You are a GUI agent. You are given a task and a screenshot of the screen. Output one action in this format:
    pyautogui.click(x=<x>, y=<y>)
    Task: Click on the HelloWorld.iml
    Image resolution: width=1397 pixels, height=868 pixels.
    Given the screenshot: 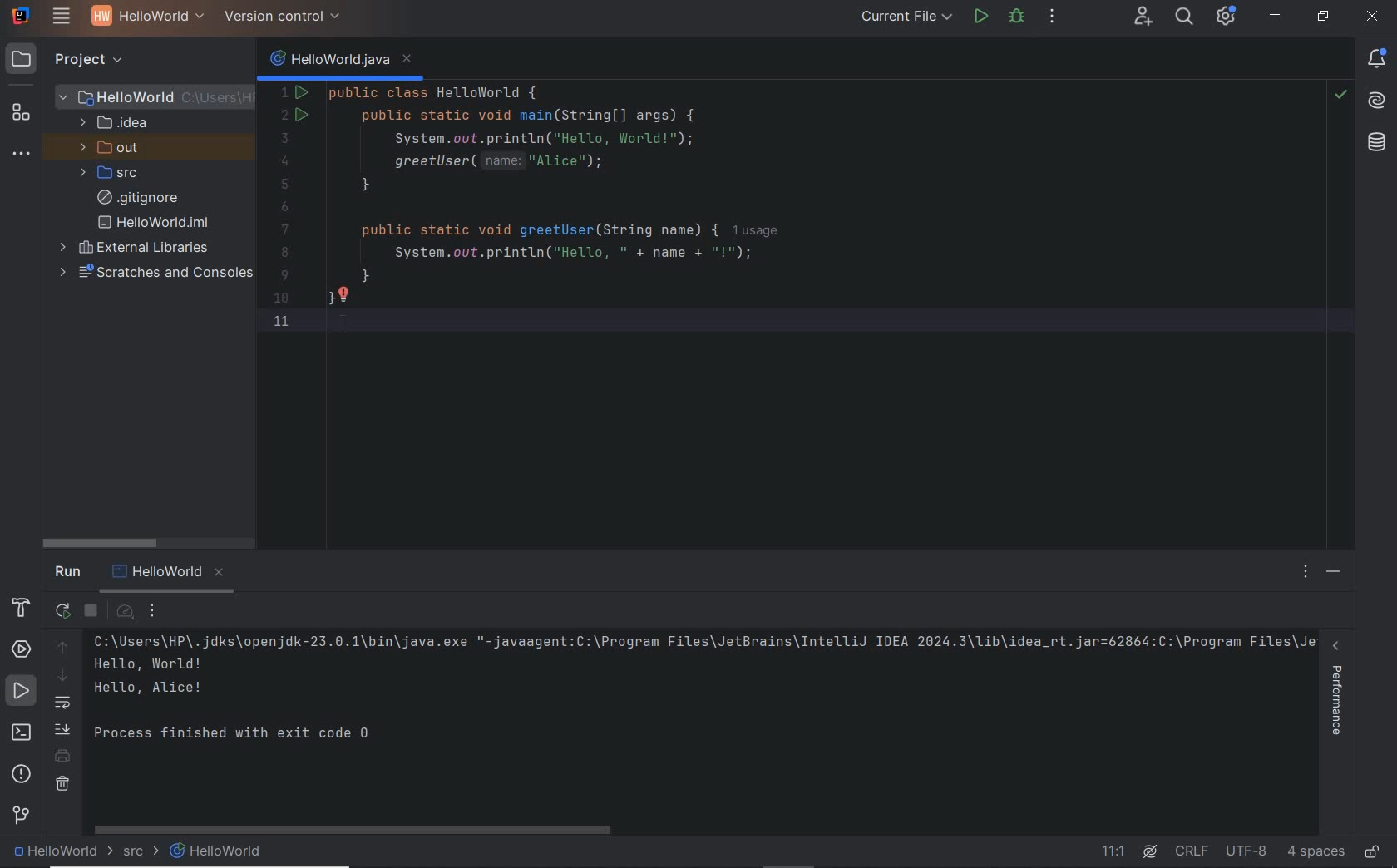 What is the action you would take?
    pyautogui.click(x=155, y=222)
    